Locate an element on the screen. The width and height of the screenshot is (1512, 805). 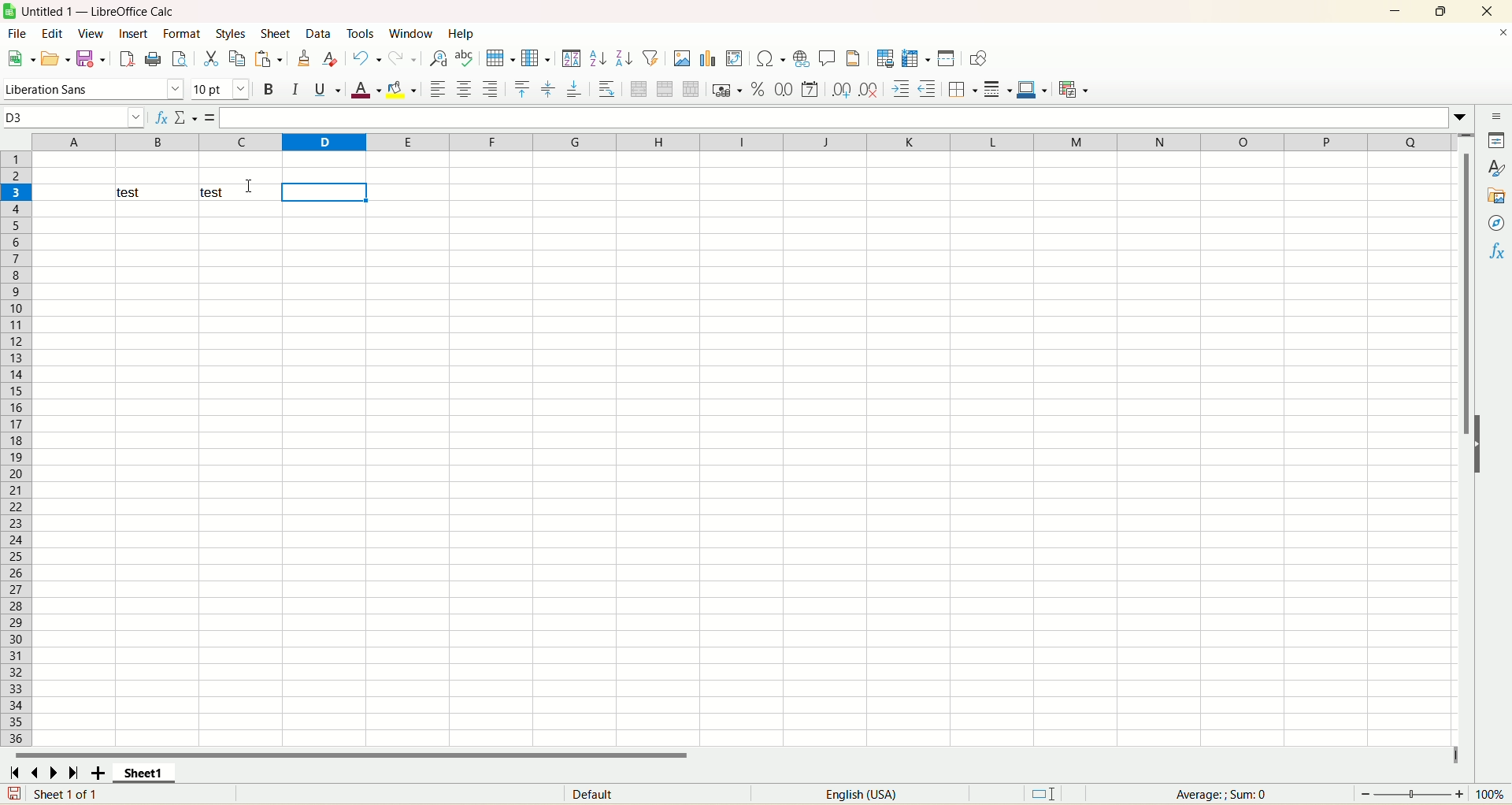
maximize is located at coordinates (1440, 11).